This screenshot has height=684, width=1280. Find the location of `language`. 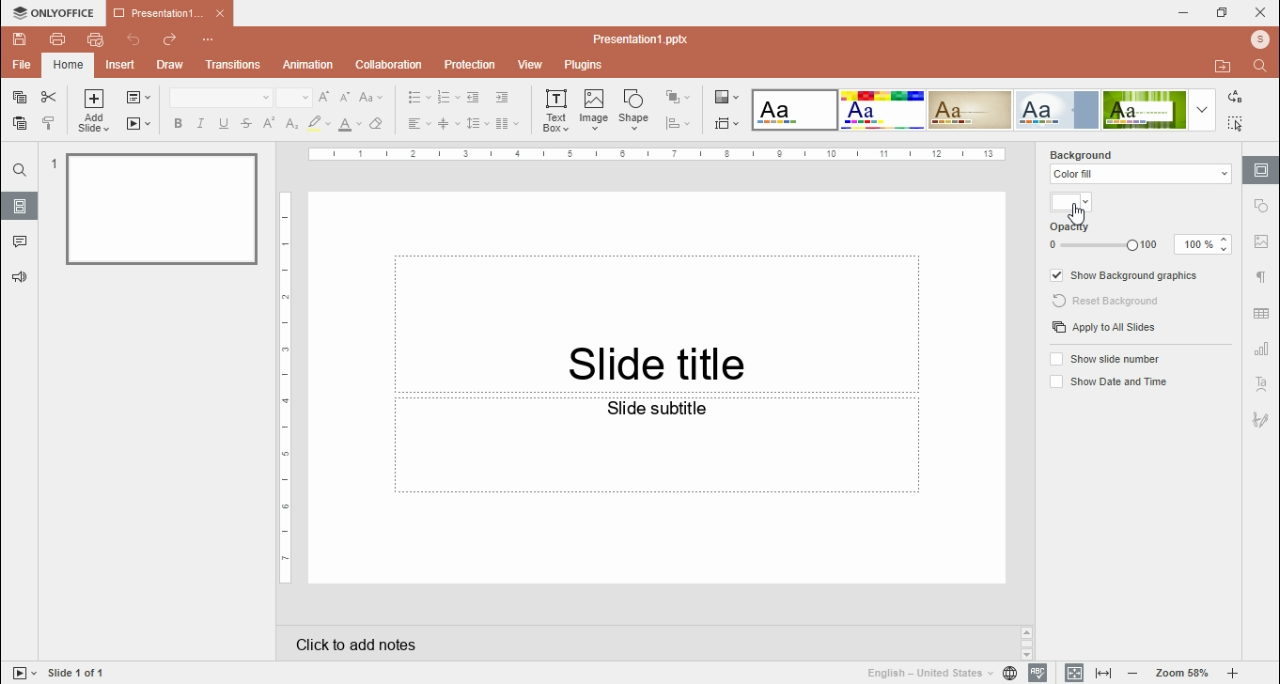

language is located at coordinates (927, 673).